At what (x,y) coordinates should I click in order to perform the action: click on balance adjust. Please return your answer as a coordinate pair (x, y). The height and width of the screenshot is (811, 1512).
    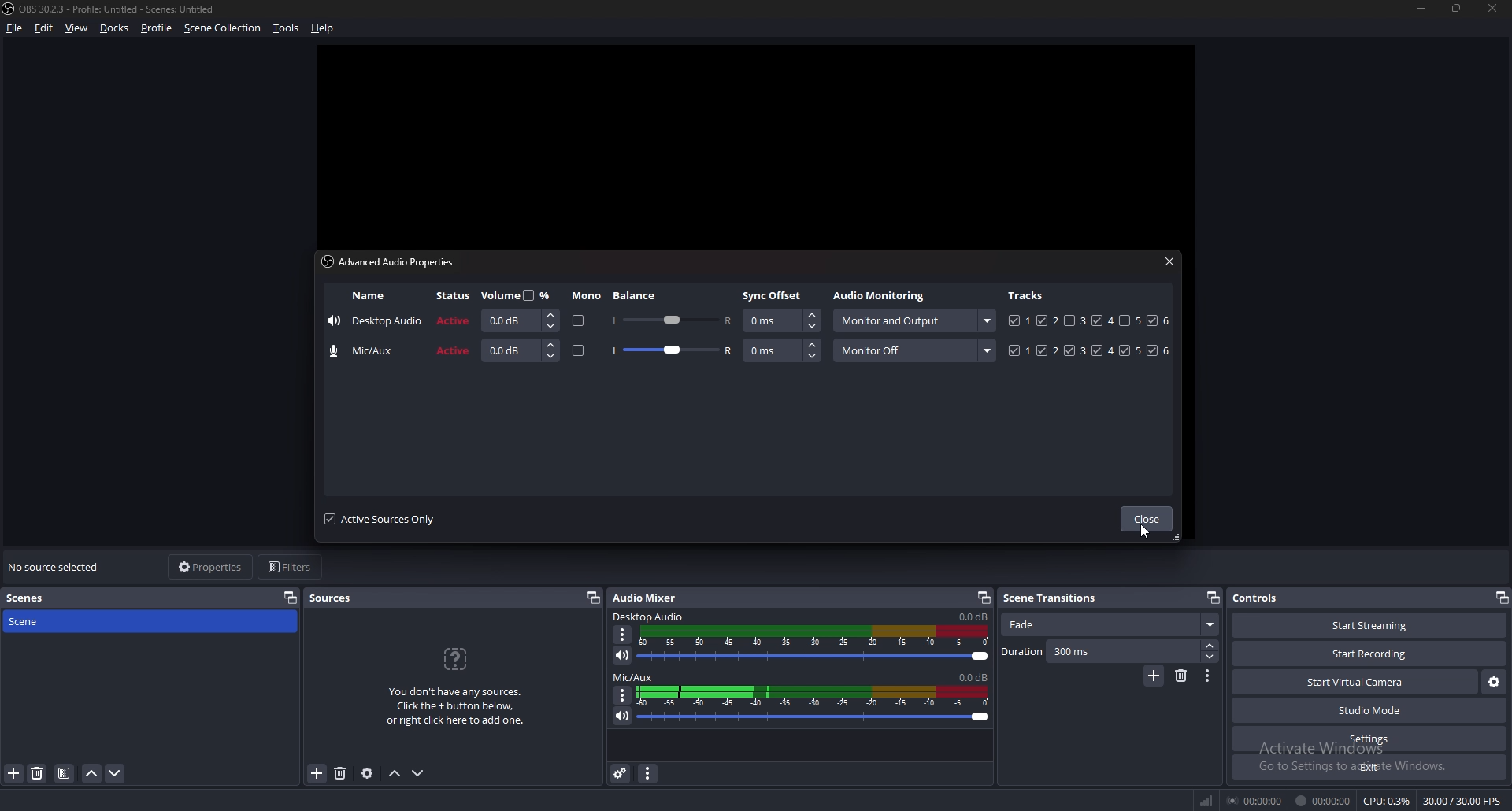
    Looking at the image, I should click on (671, 319).